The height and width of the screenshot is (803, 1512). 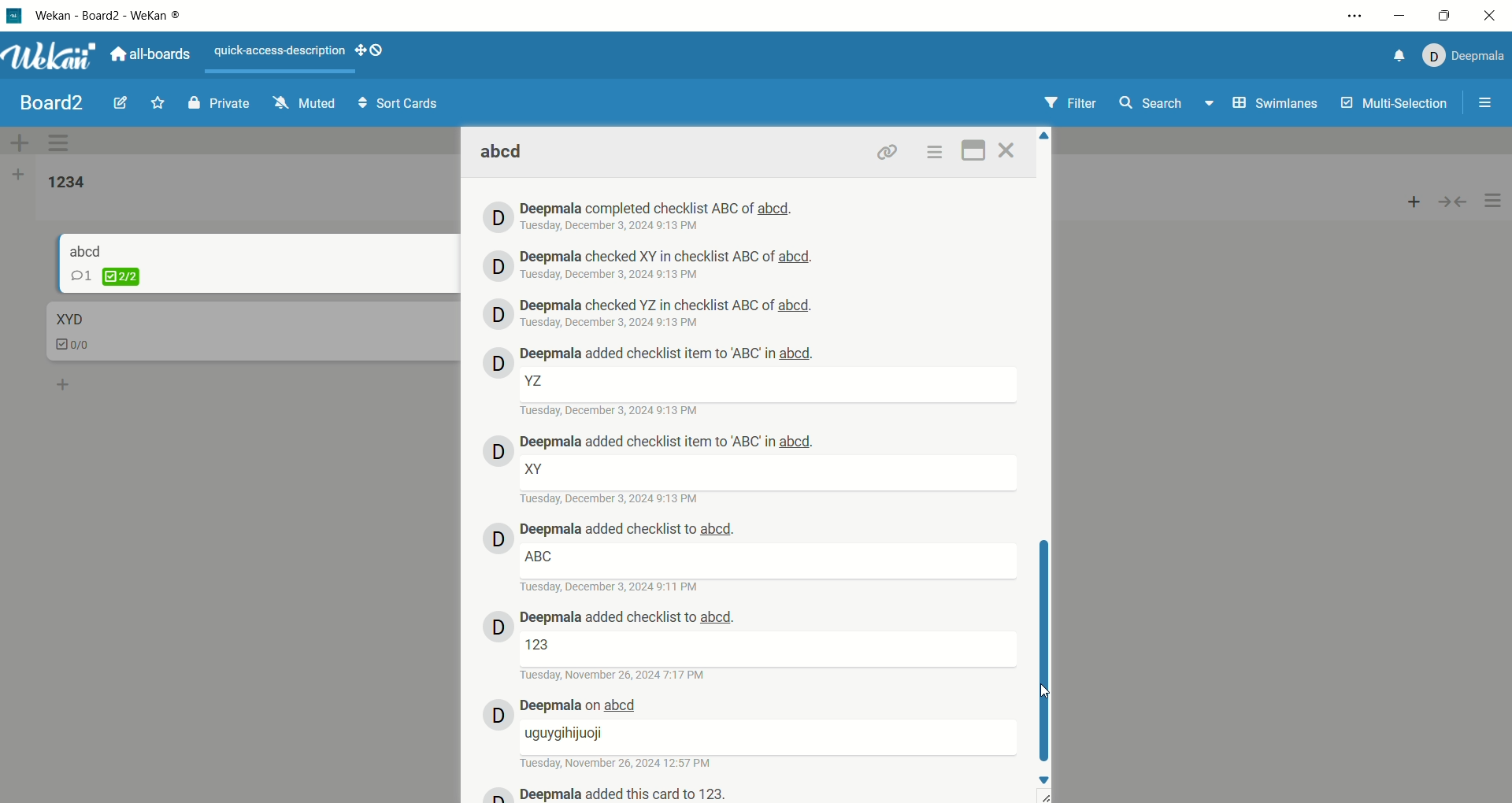 I want to click on deepmala history, so click(x=666, y=257).